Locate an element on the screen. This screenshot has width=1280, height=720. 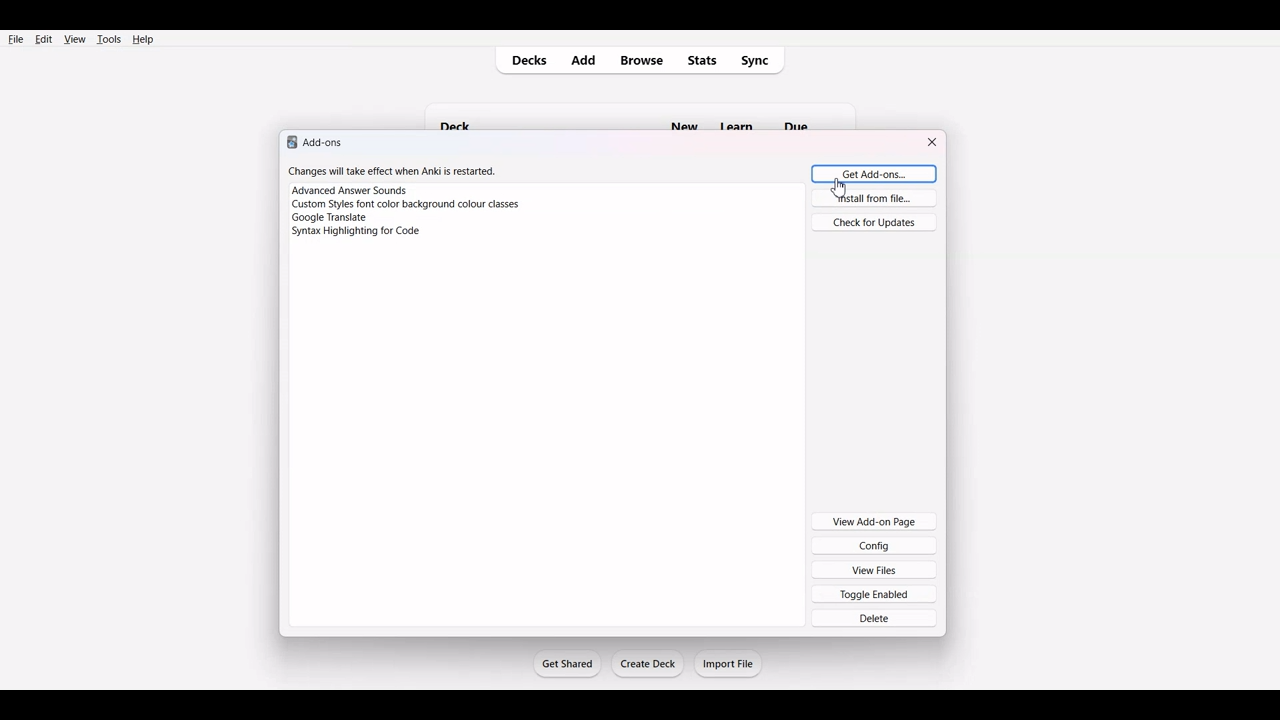
Create Deck is located at coordinates (649, 664).